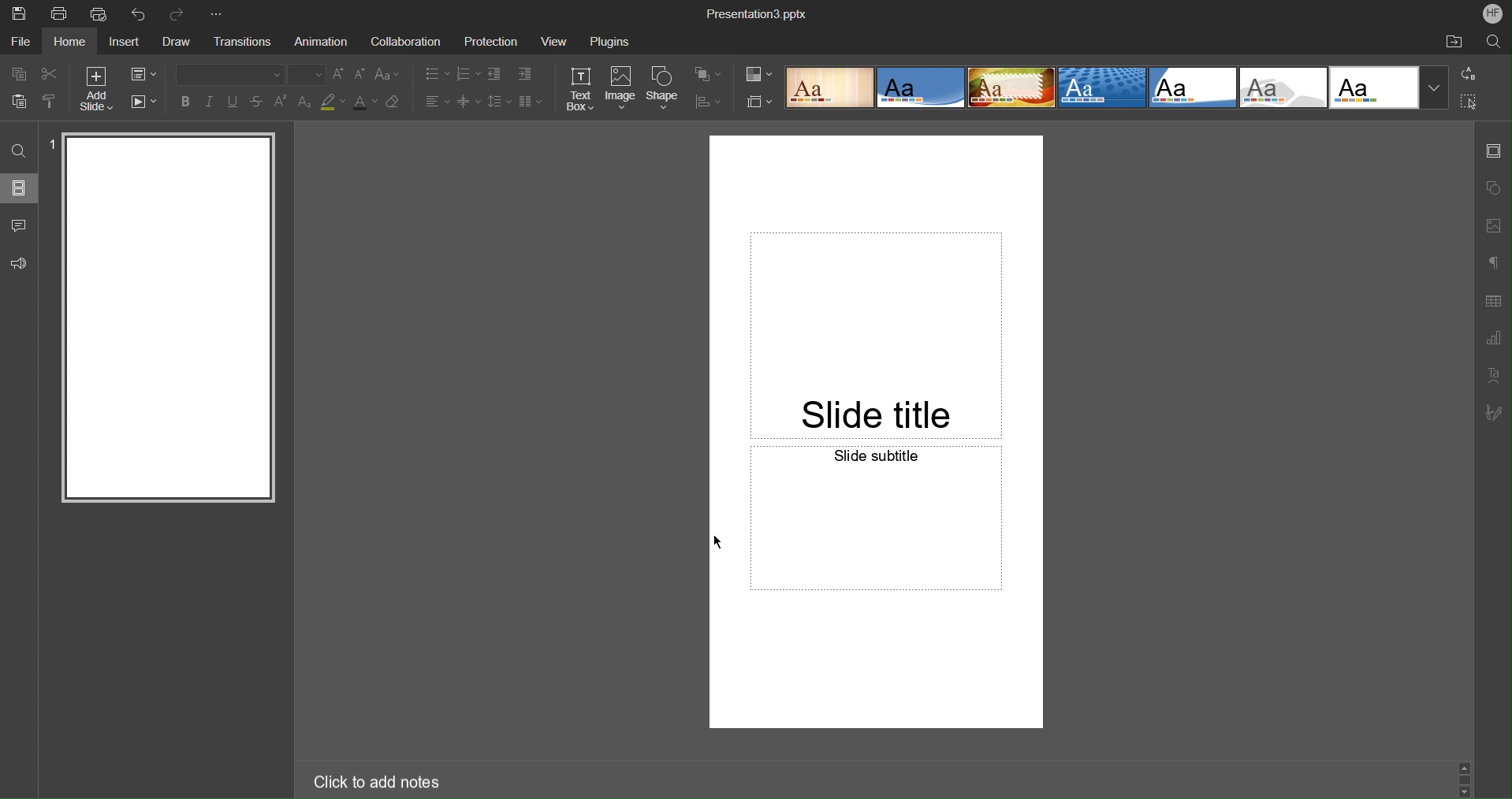 The height and width of the screenshot is (799, 1512). Describe the element at coordinates (1492, 155) in the screenshot. I see `Slide Settings` at that location.